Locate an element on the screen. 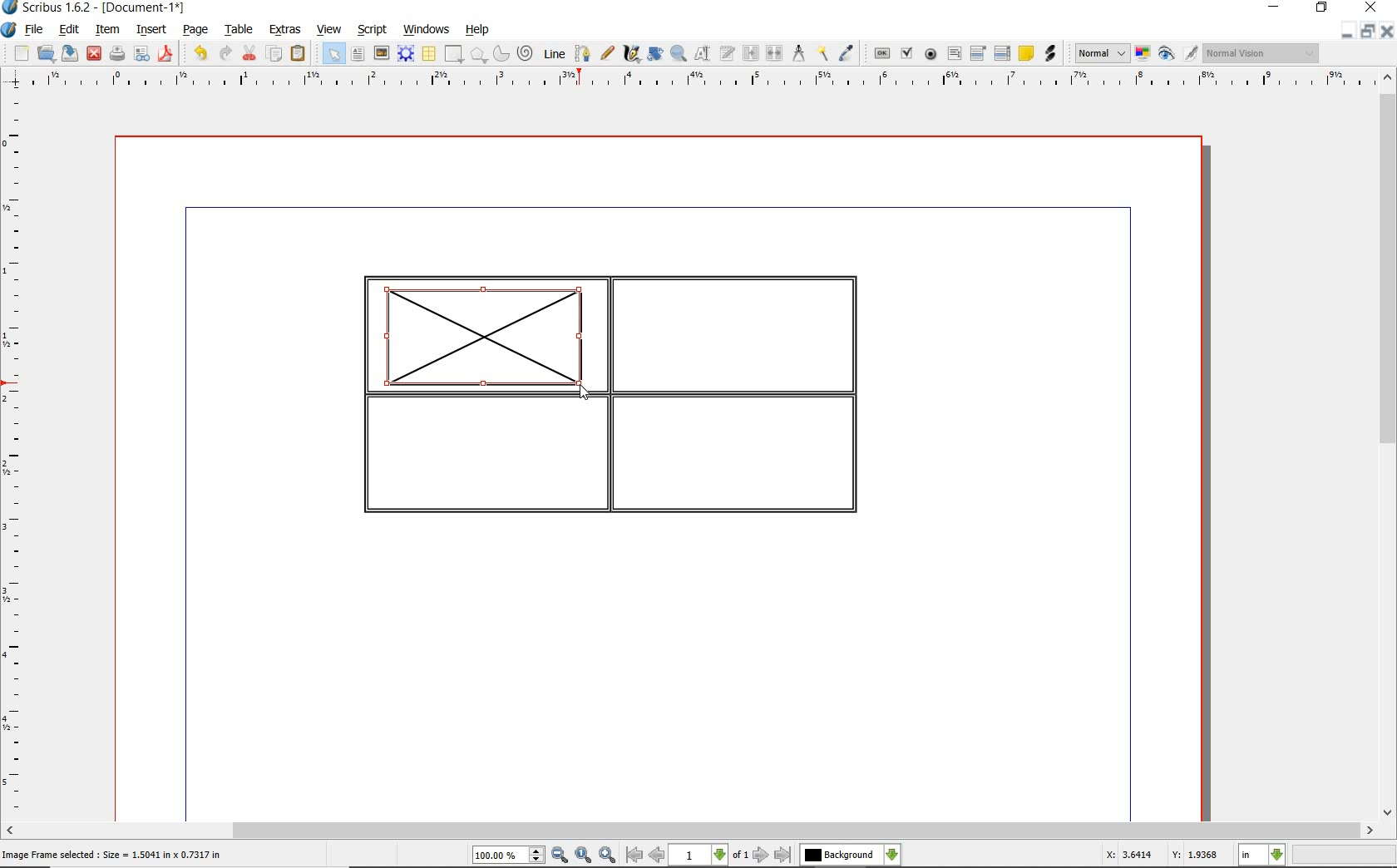  extras is located at coordinates (285, 30).